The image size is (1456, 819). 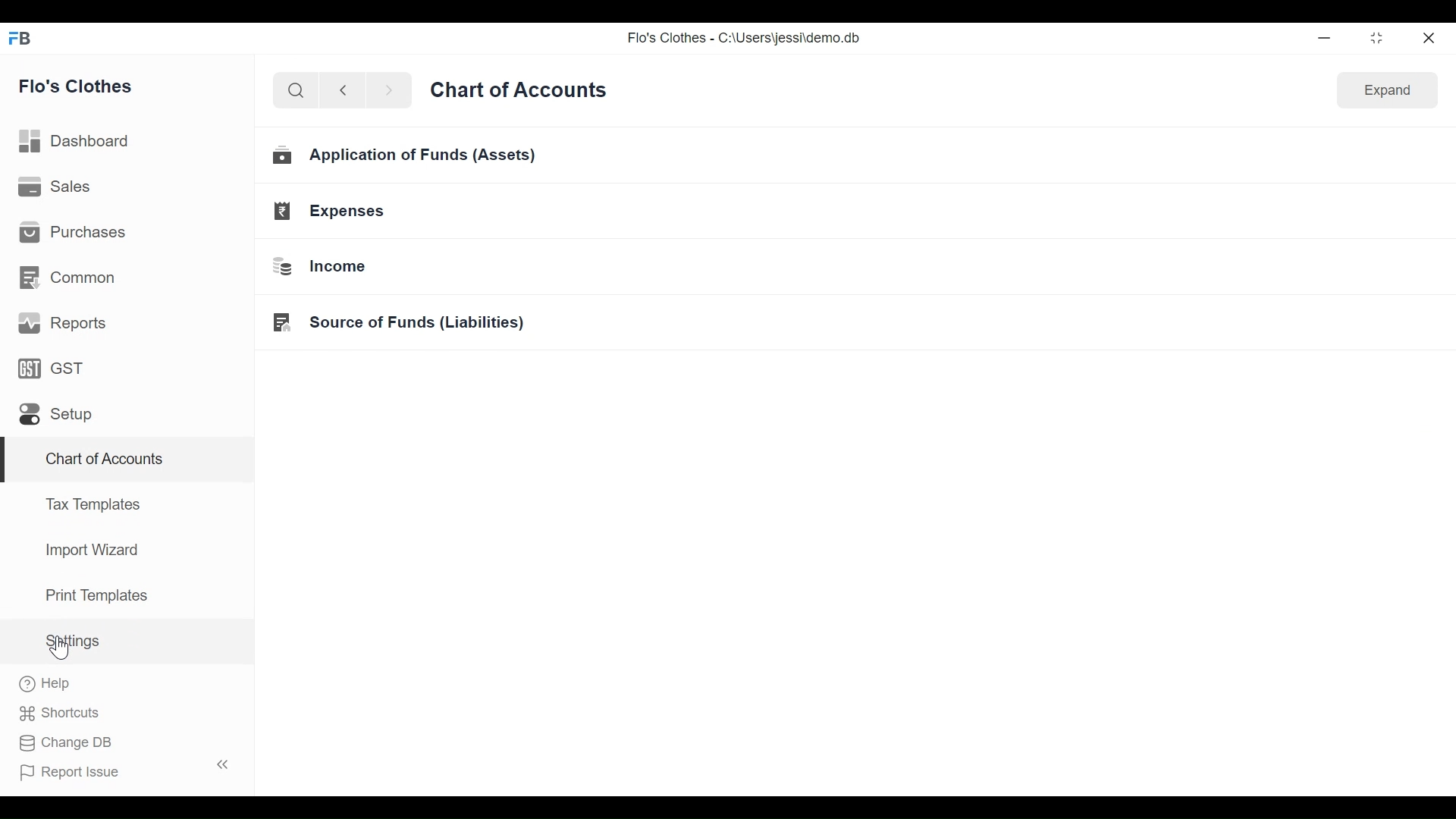 I want to click on Common, so click(x=70, y=280).